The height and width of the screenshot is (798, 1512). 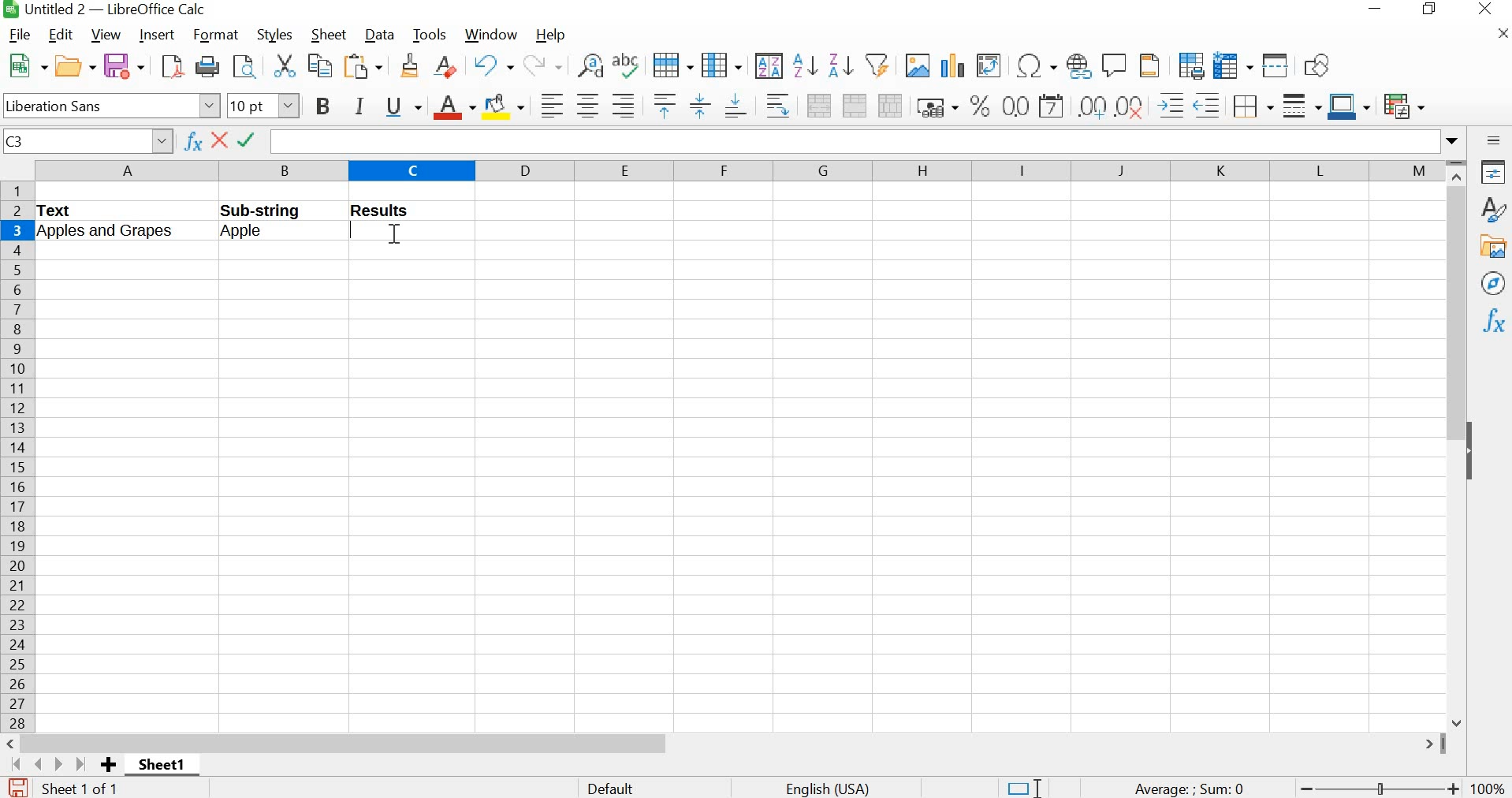 I want to click on move to next sheet buttons, so click(x=50, y=764).